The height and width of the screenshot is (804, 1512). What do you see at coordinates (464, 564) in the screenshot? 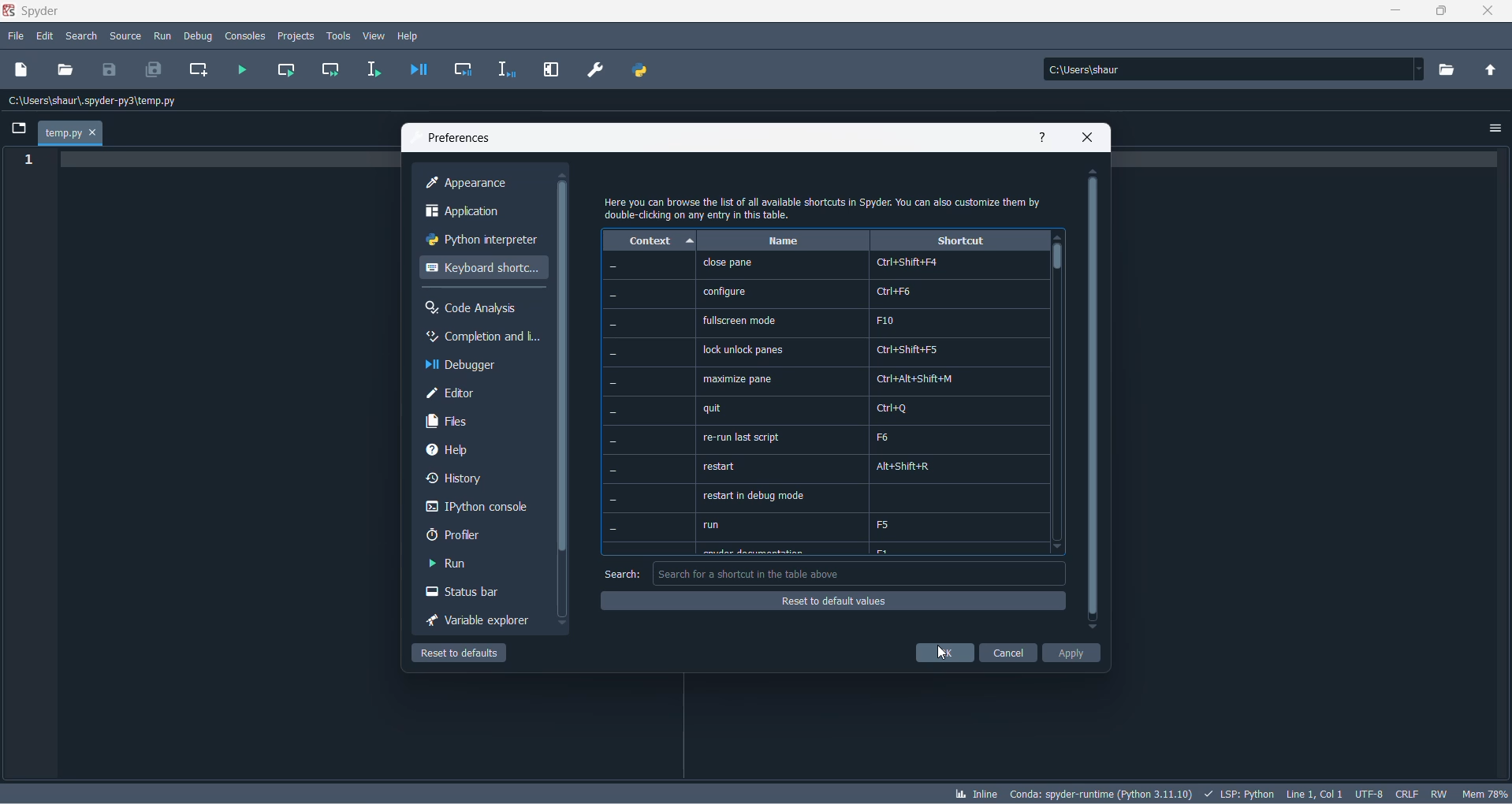
I see `run` at bounding box center [464, 564].